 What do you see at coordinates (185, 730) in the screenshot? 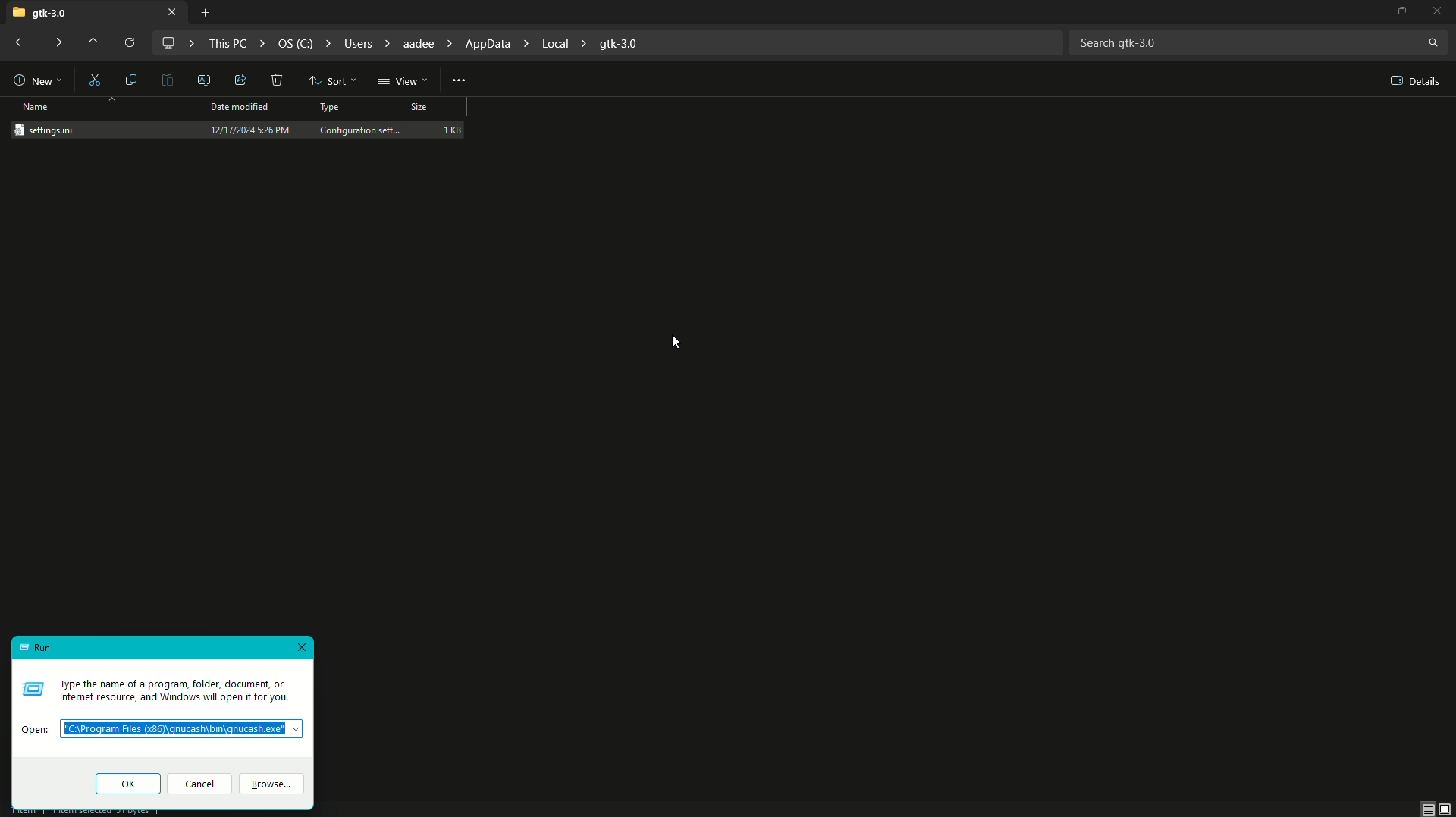
I see `File Path` at bounding box center [185, 730].